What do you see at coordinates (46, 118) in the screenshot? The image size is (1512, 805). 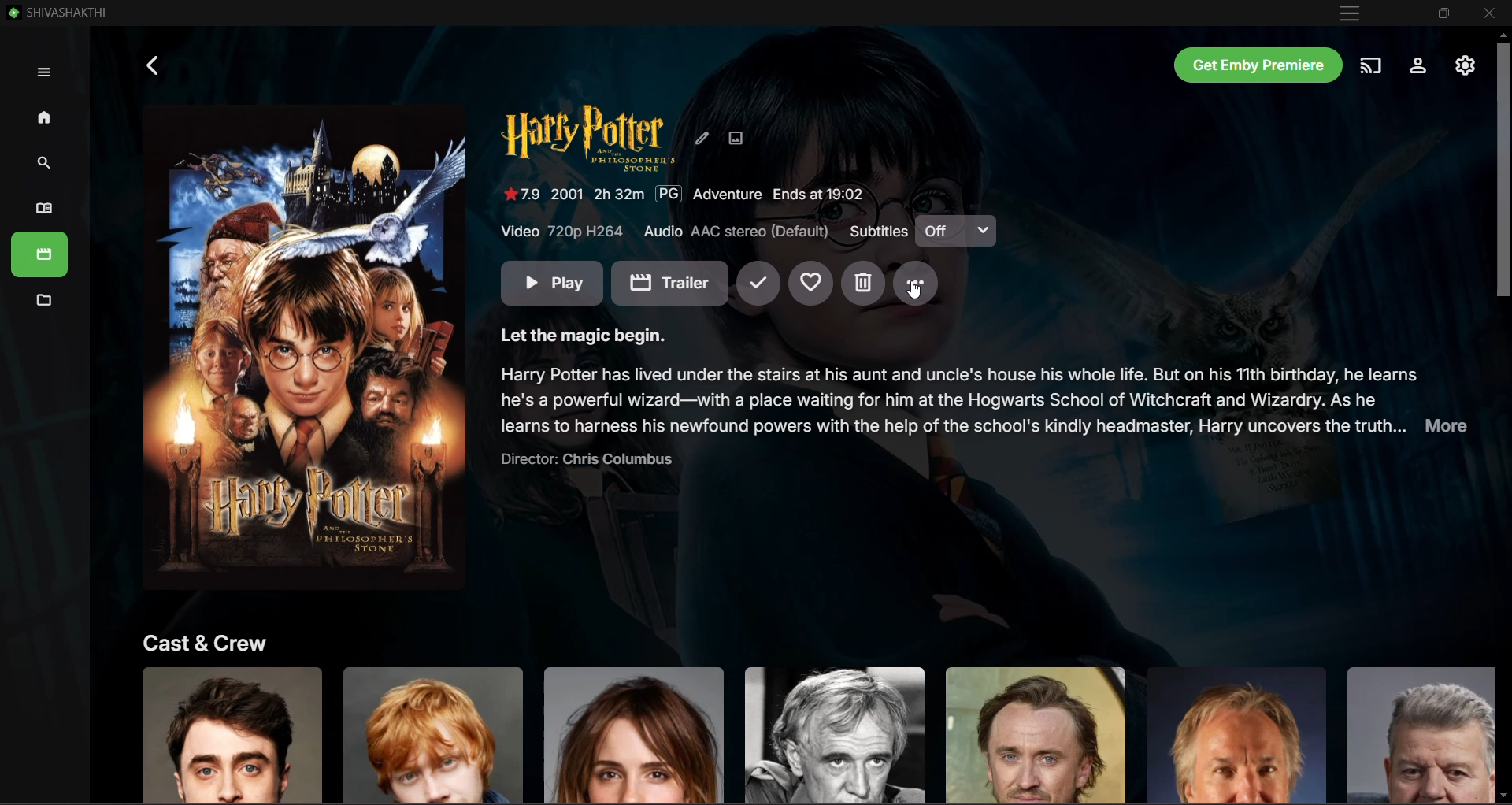 I see `Home` at bounding box center [46, 118].